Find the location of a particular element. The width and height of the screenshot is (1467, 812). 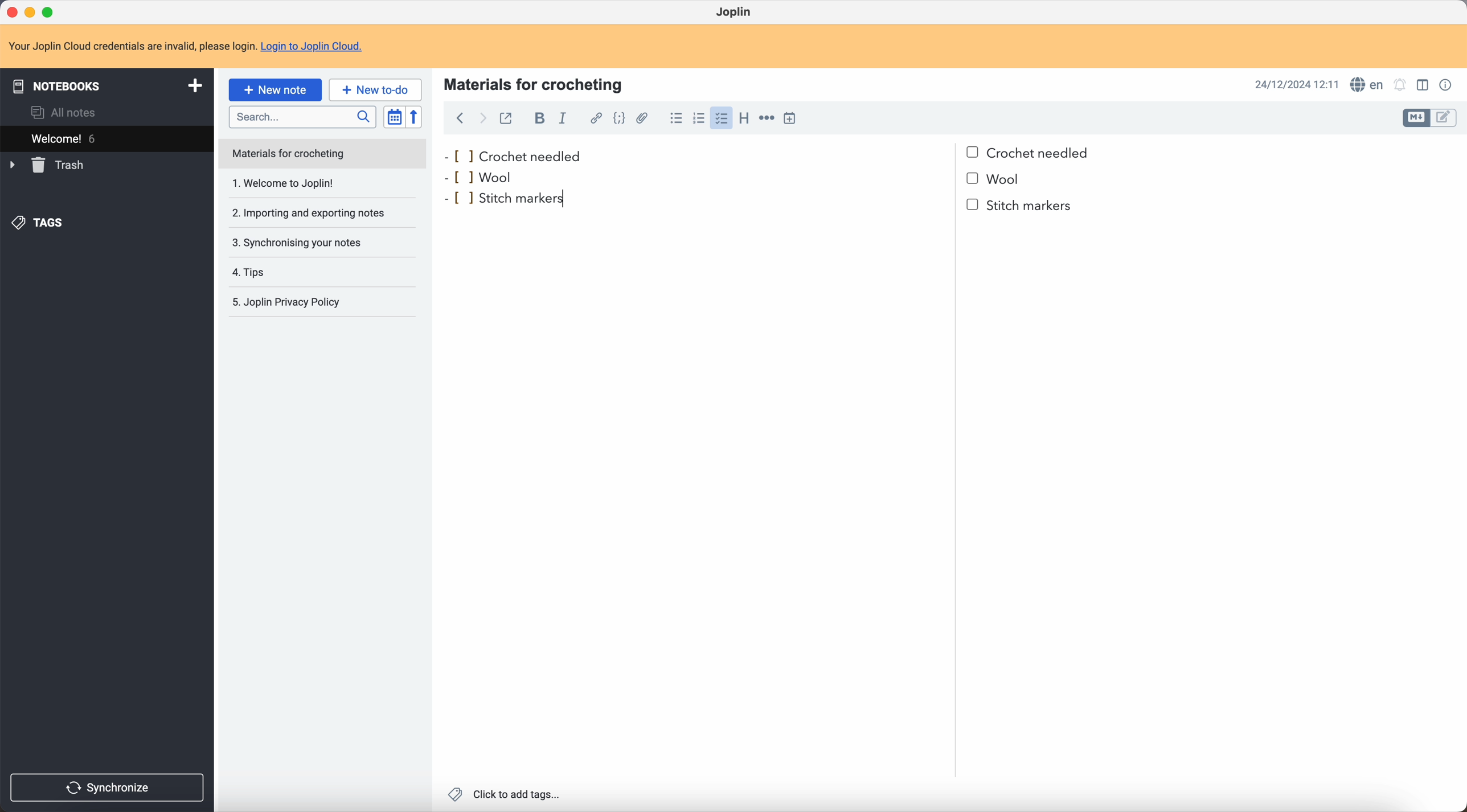

Joplin is located at coordinates (735, 13).